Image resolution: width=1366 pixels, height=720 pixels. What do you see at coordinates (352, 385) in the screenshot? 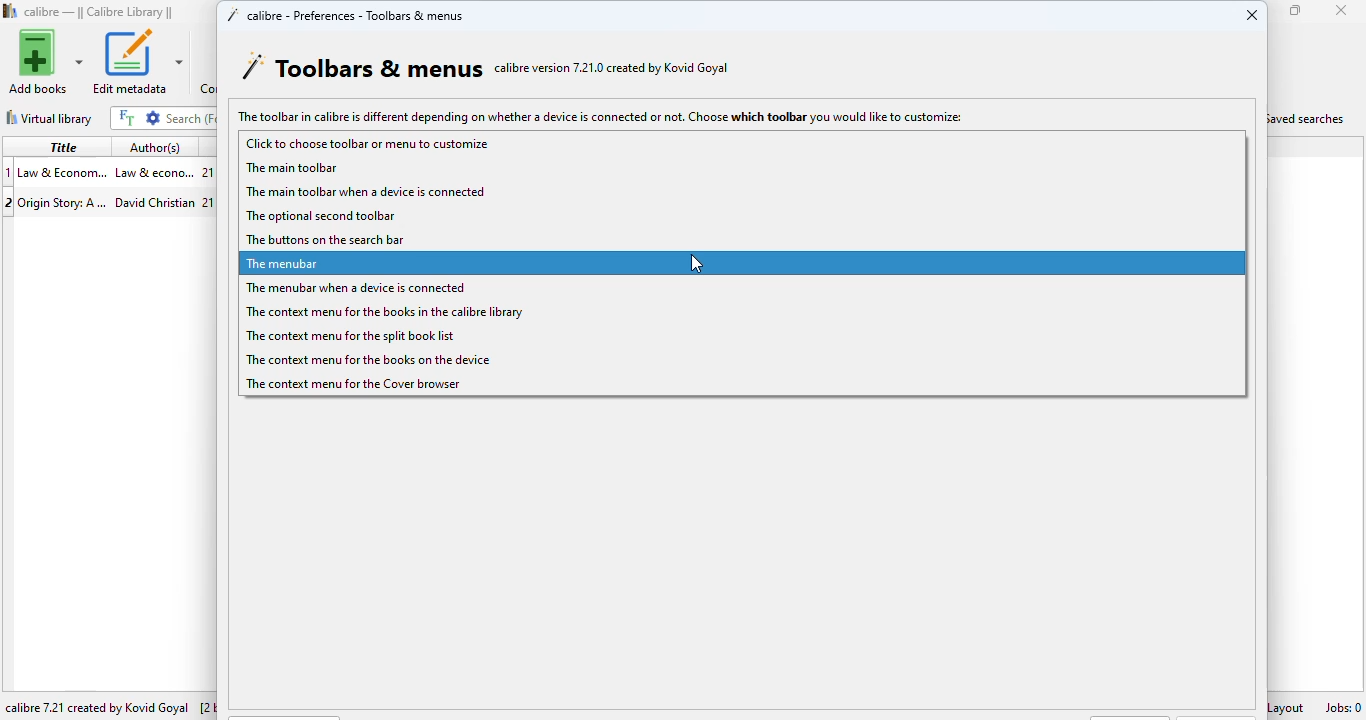
I see `the context menu for the cover browser` at bounding box center [352, 385].